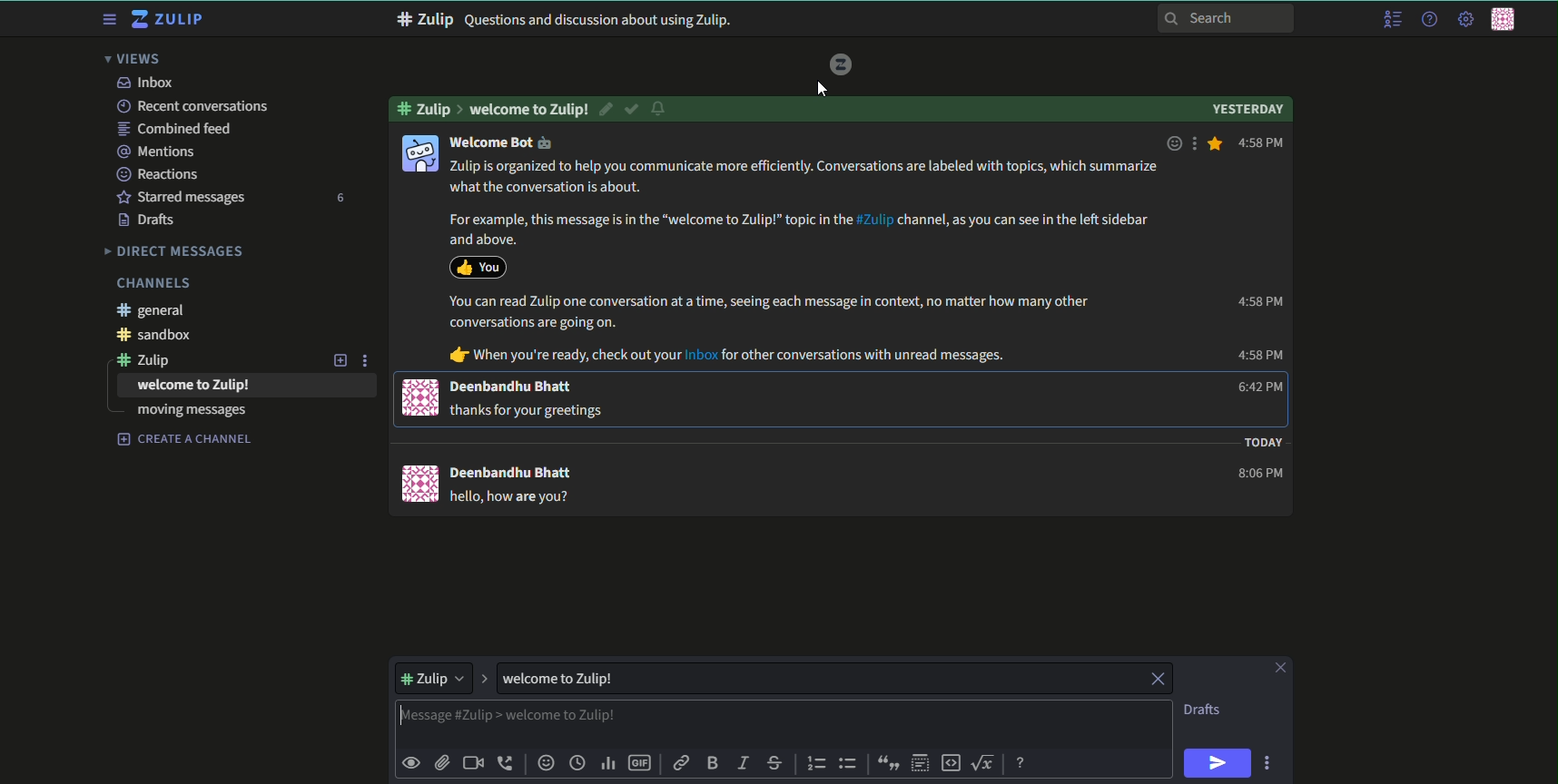 The height and width of the screenshot is (784, 1558). What do you see at coordinates (516, 715) in the screenshot?
I see `highlighted text` at bounding box center [516, 715].